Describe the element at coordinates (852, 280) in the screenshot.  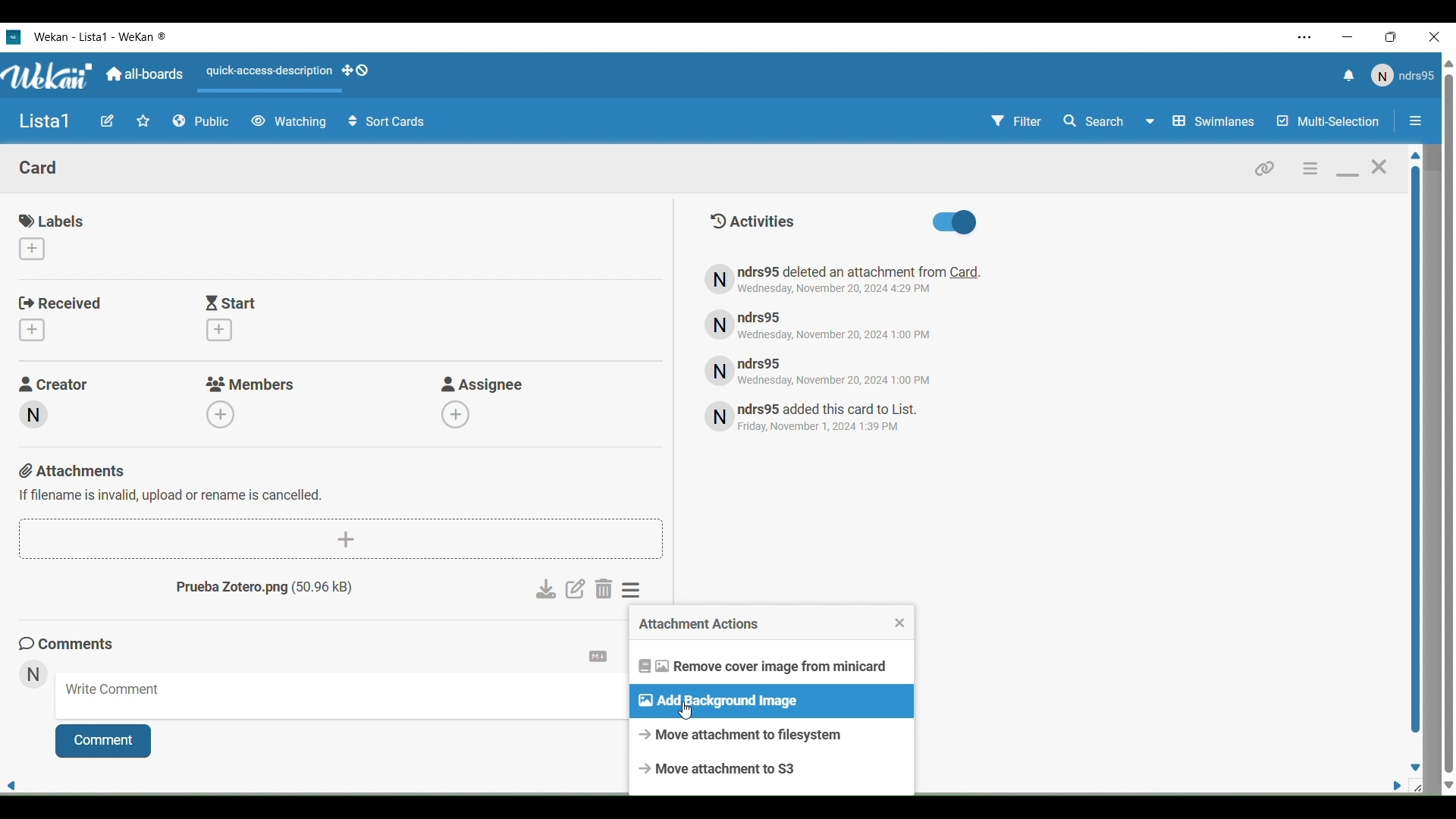
I see `Text` at that location.